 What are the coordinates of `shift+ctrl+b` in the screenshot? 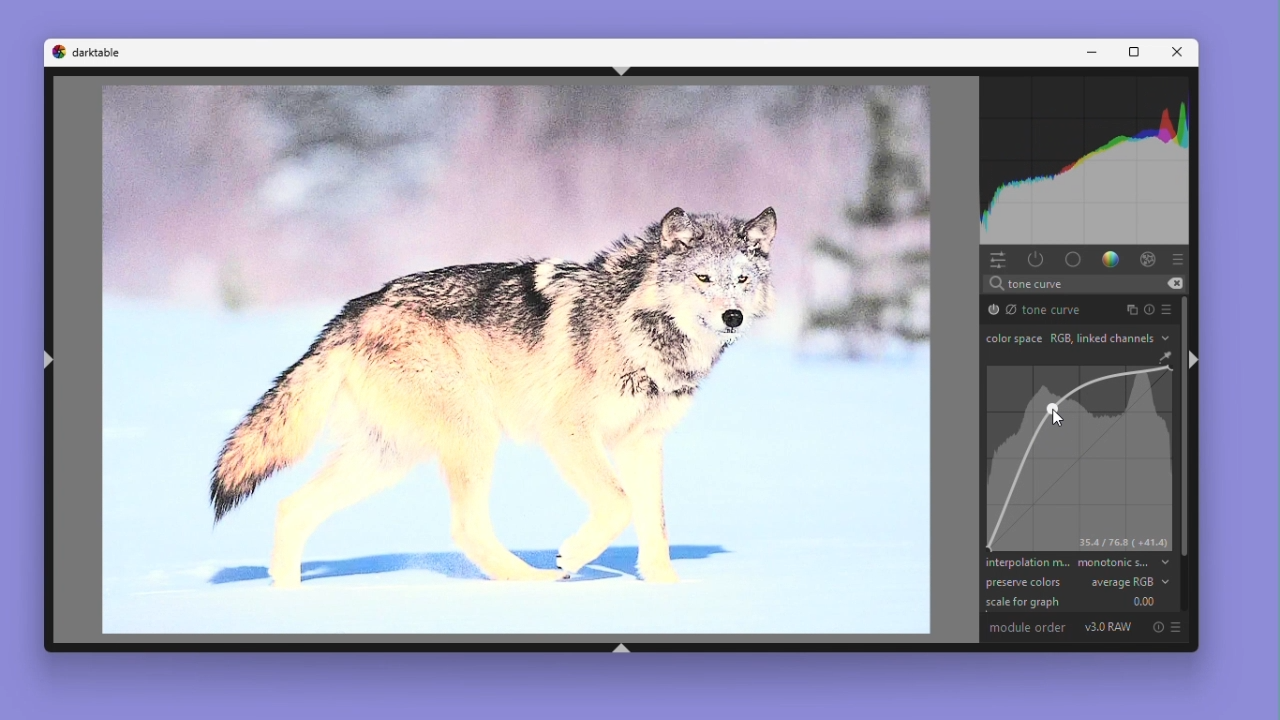 It's located at (625, 646).